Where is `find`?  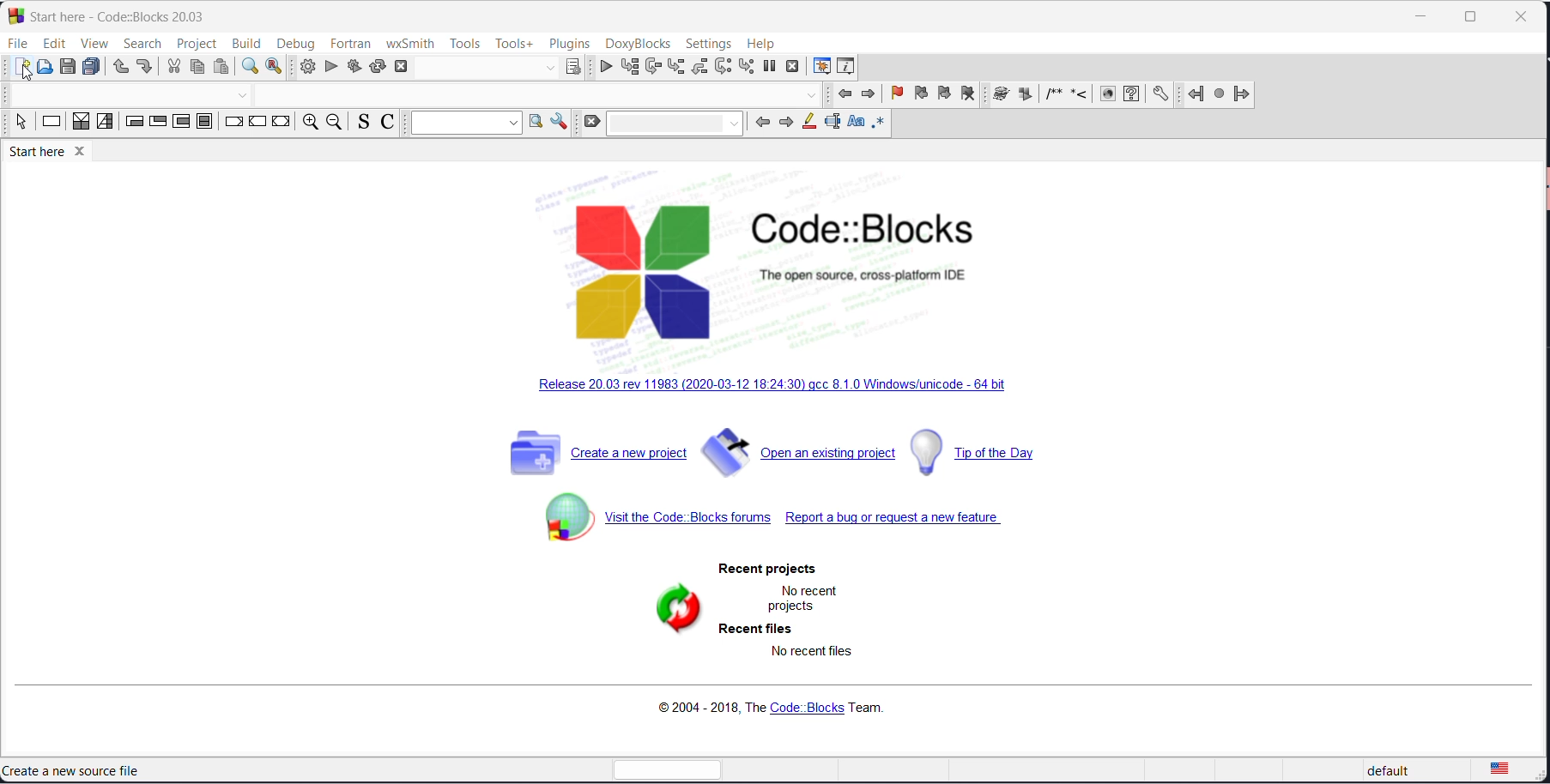 find is located at coordinates (249, 67).